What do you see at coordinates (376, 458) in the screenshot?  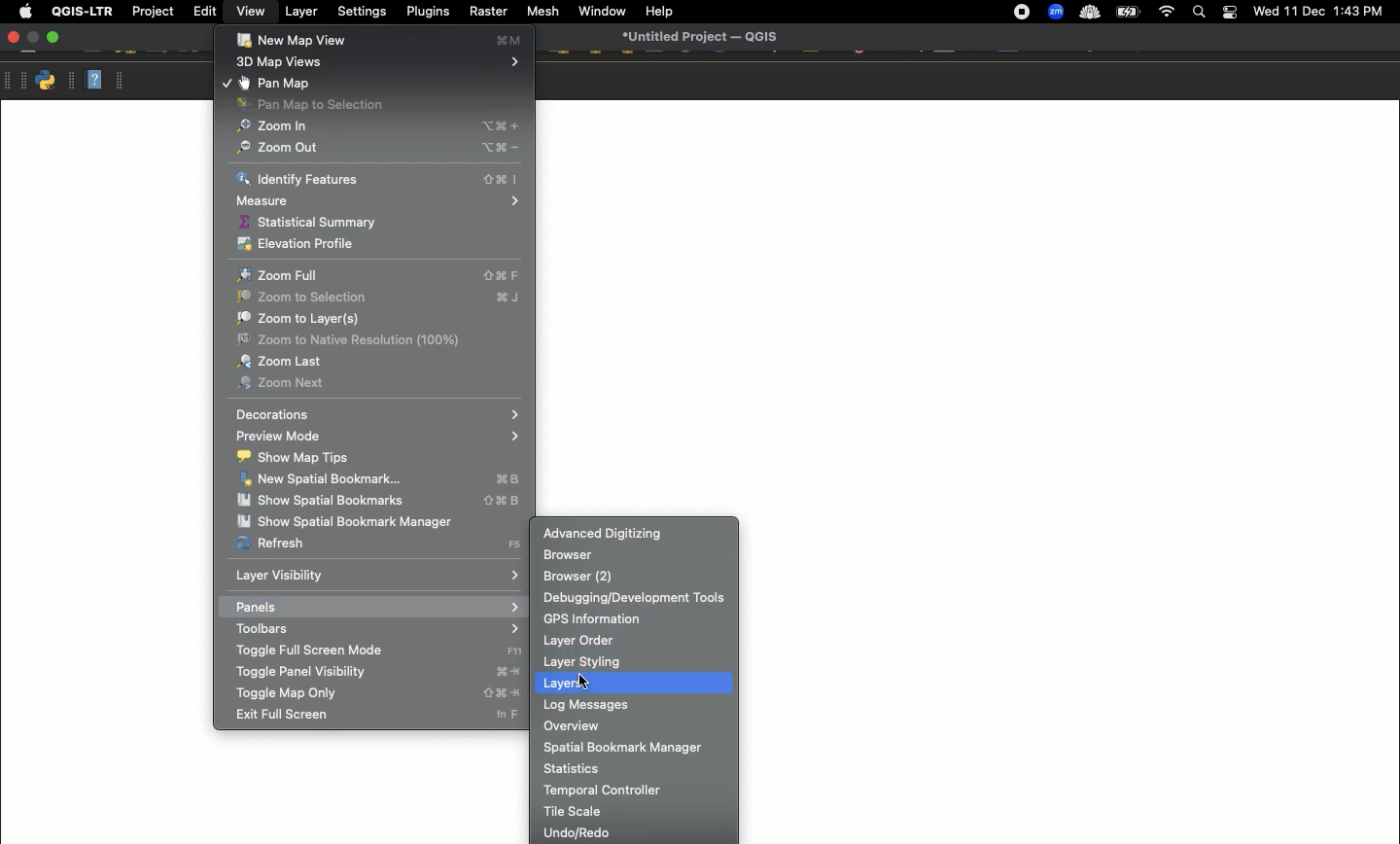 I see `Show map tips` at bounding box center [376, 458].